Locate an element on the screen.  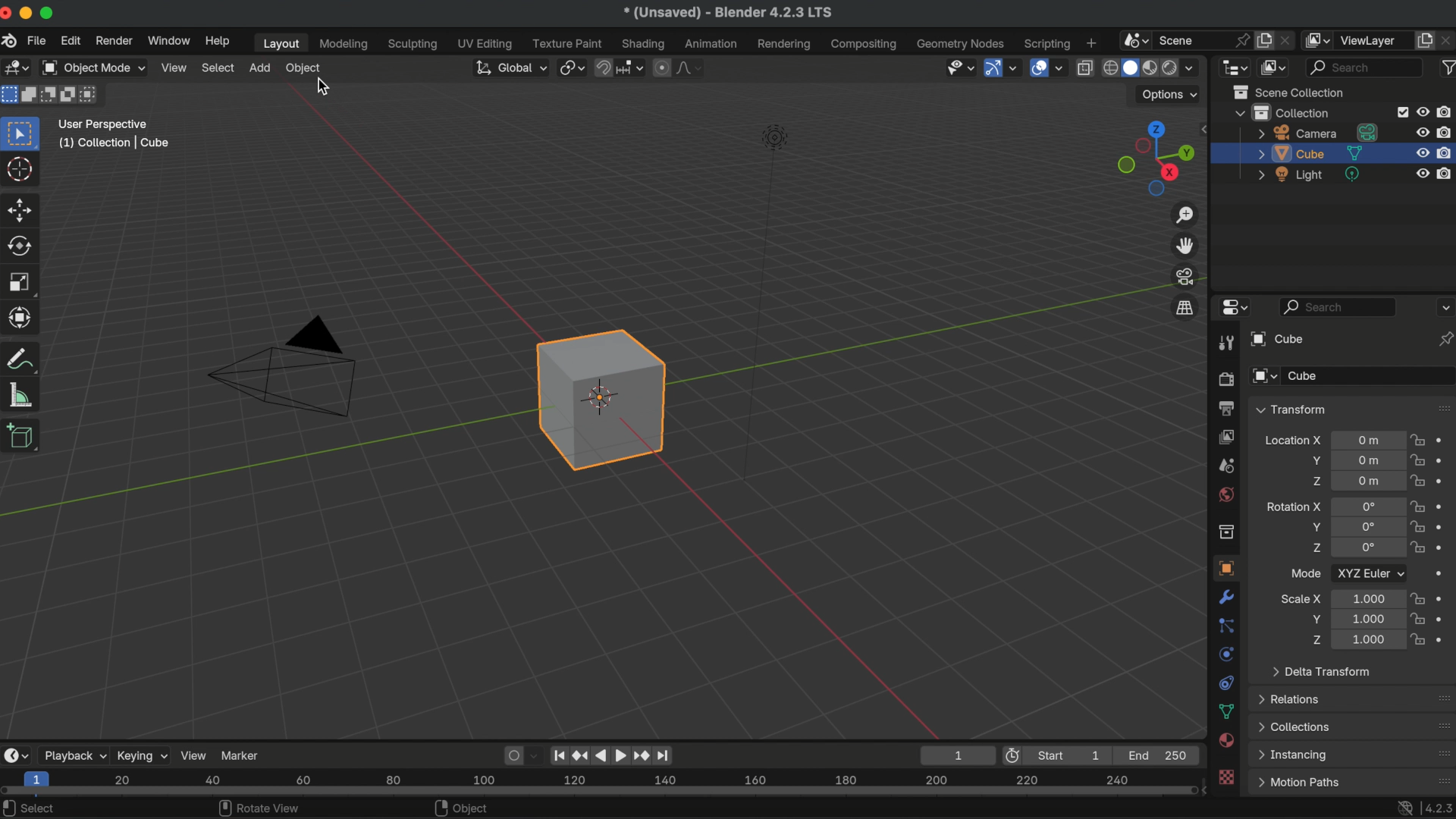
output is located at coordinates (1224, 408).